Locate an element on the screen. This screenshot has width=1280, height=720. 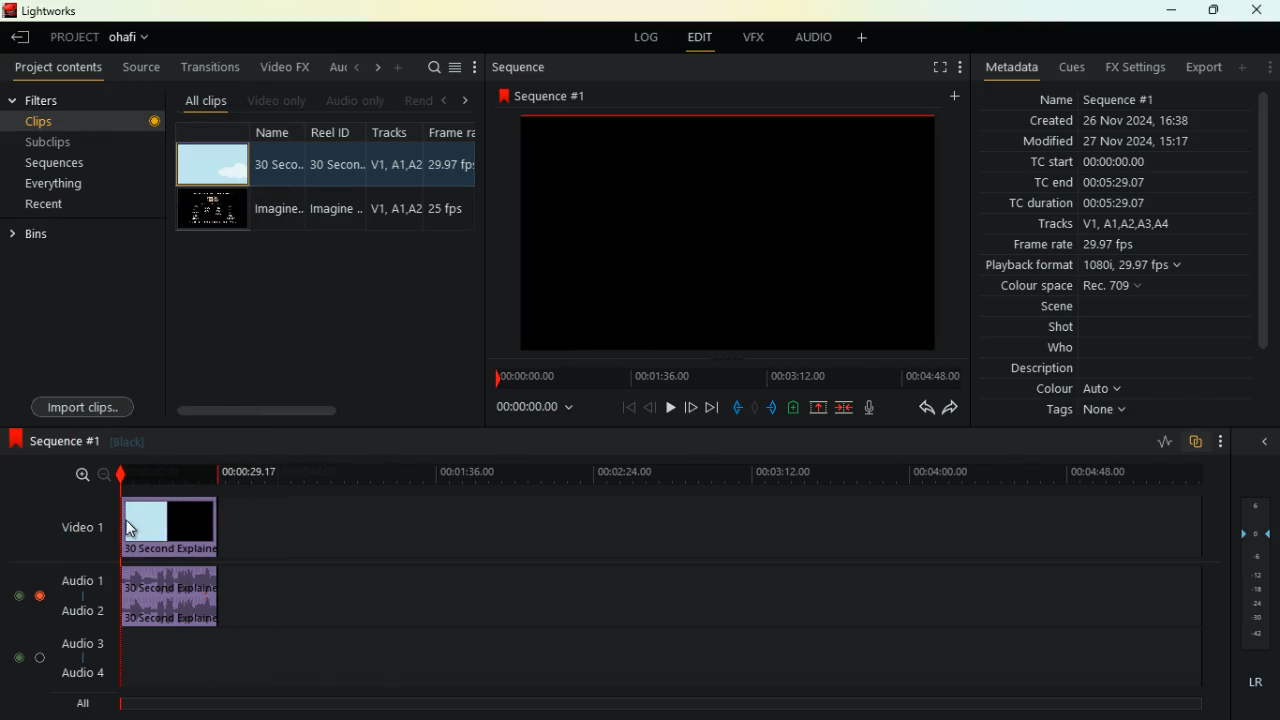
pull is located at coordinates (734, 408).